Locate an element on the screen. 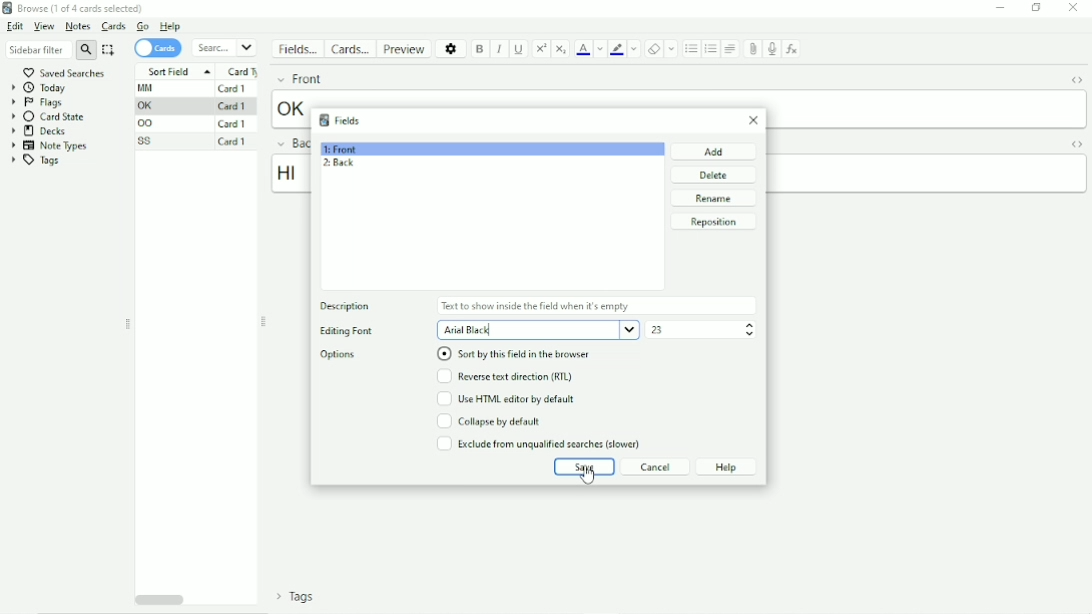 The image size is (1092, 614). Collapse by default is located at coordinates (489, 422).